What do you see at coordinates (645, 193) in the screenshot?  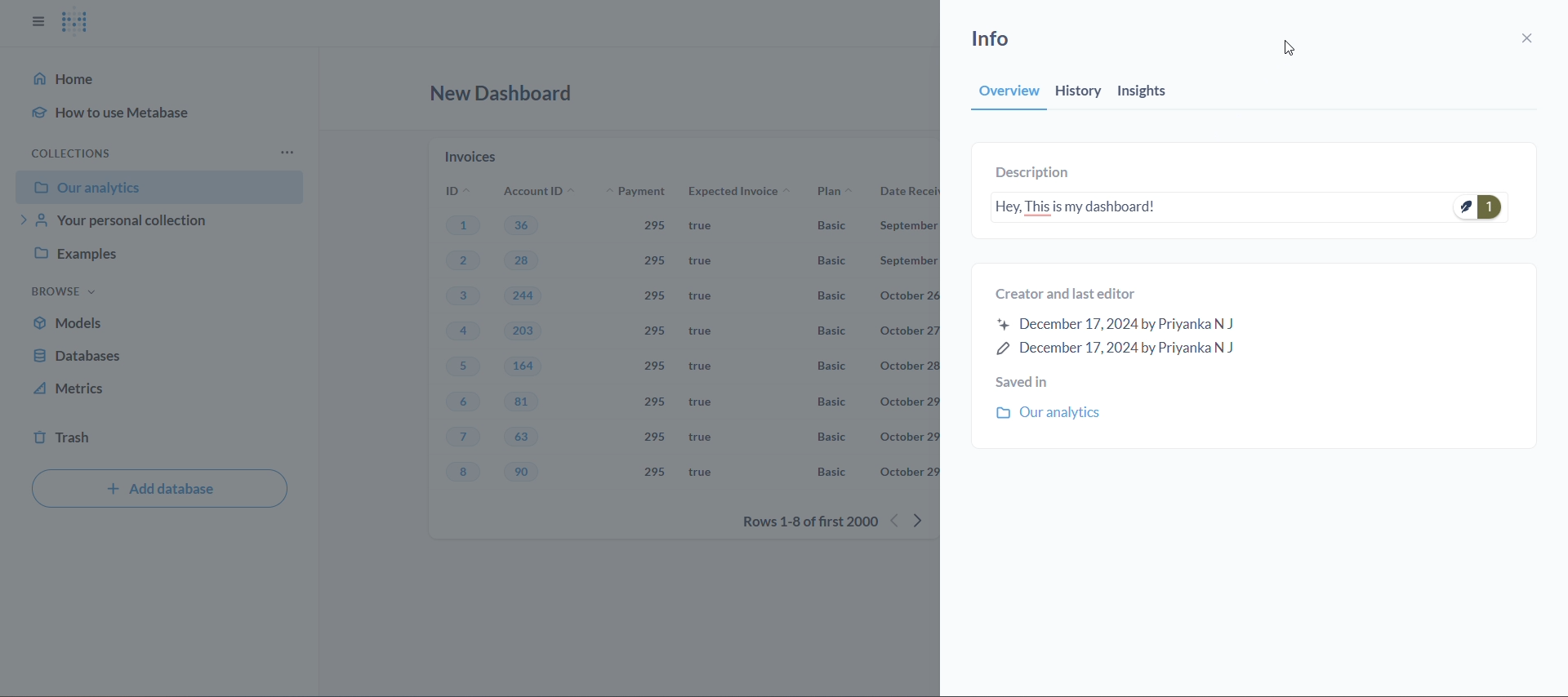 I see `payment` at bounding box center [645, 193].